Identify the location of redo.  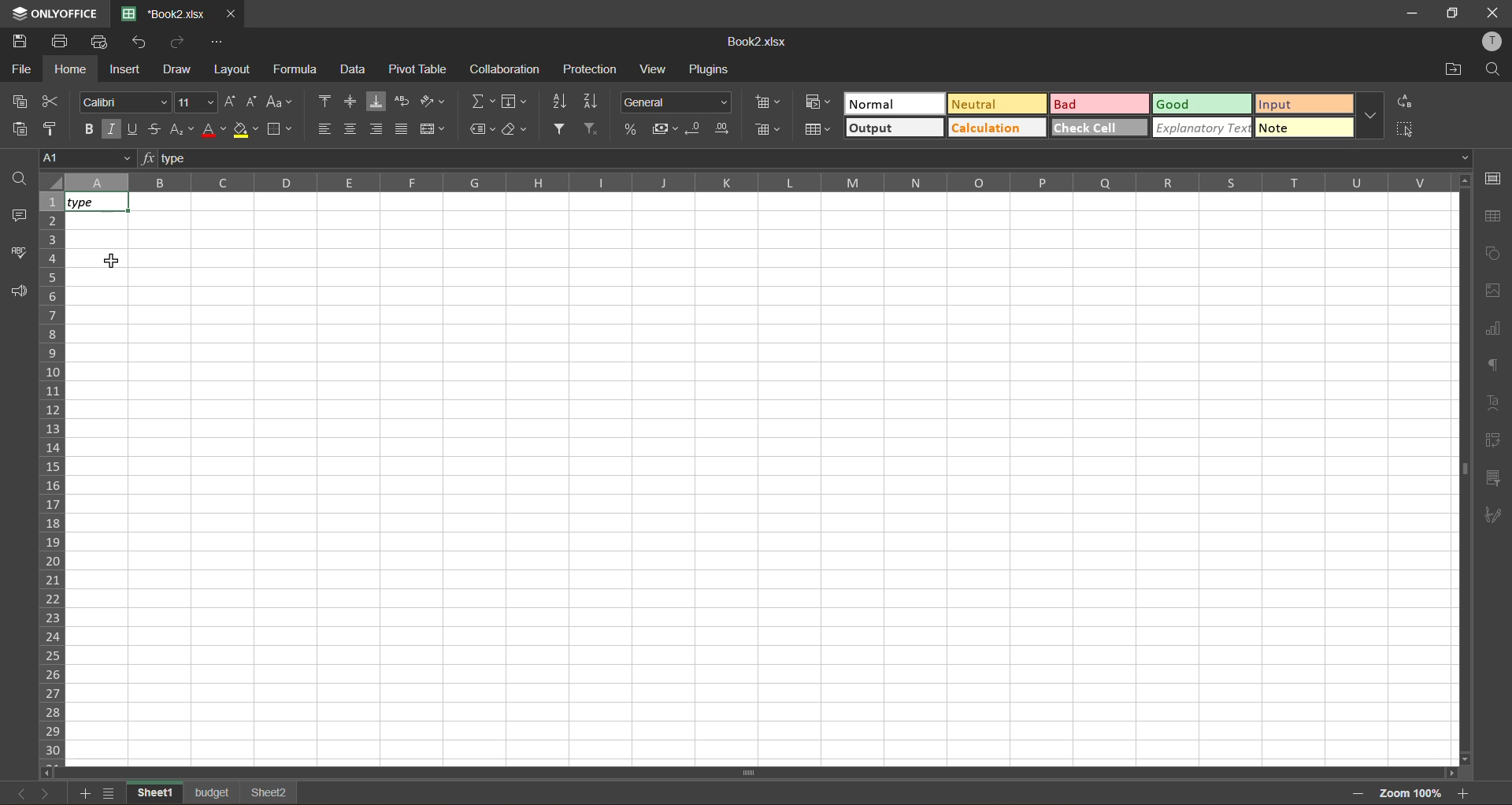
(180, 43).